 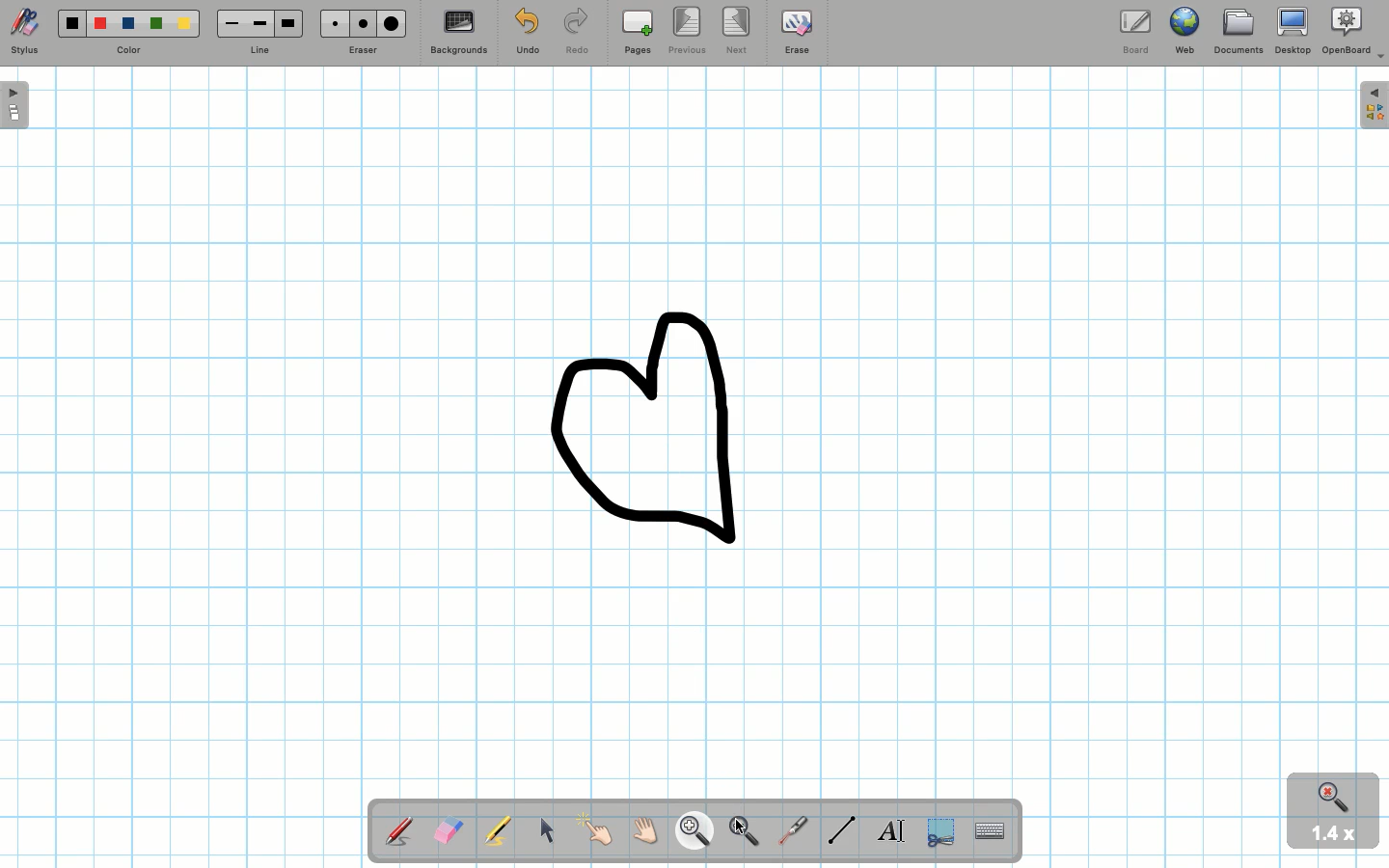 I want to click on Zoom out, so click(x=744, y=832).